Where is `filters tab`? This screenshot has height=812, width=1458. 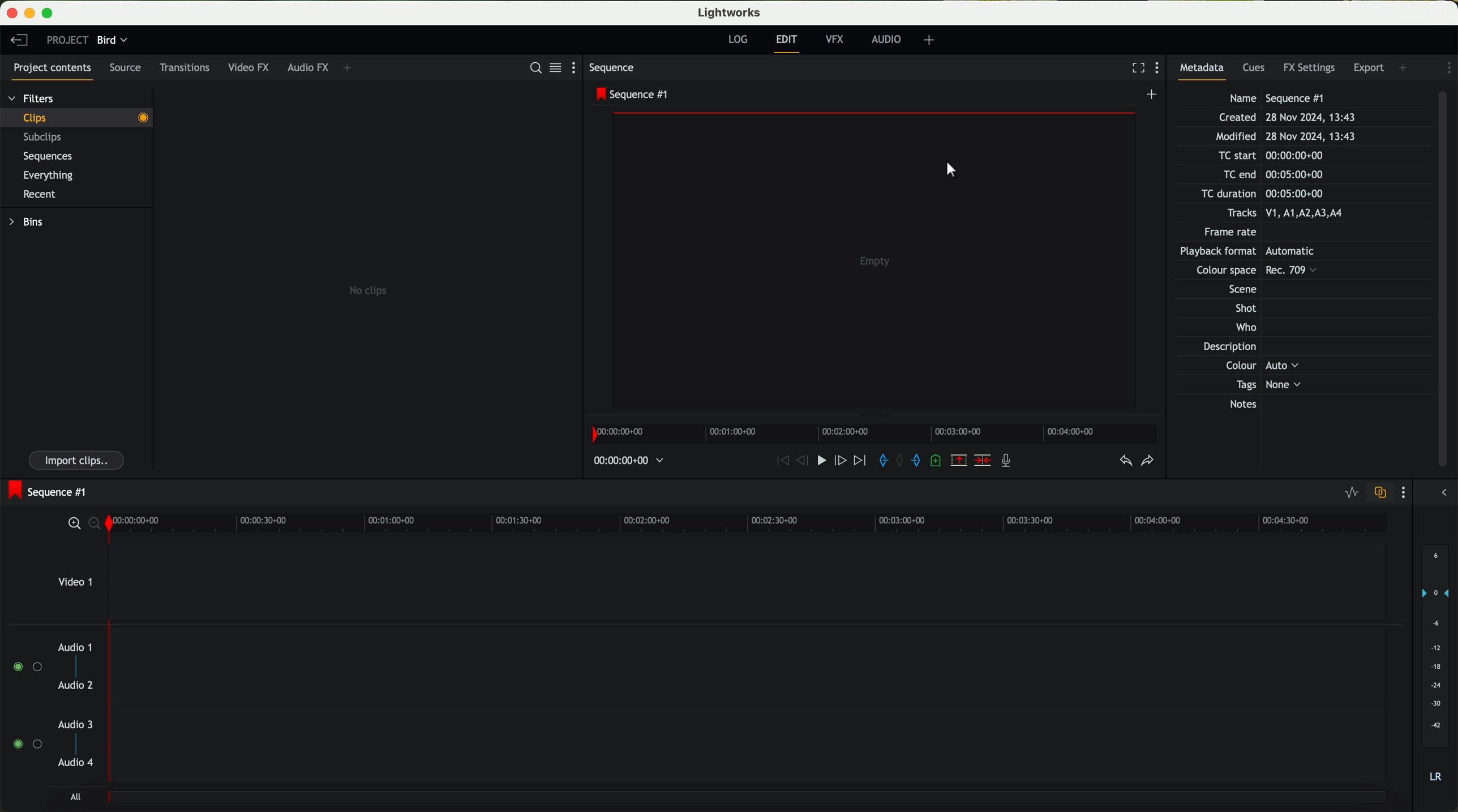
filters tab is located at coordinates (34, 96).